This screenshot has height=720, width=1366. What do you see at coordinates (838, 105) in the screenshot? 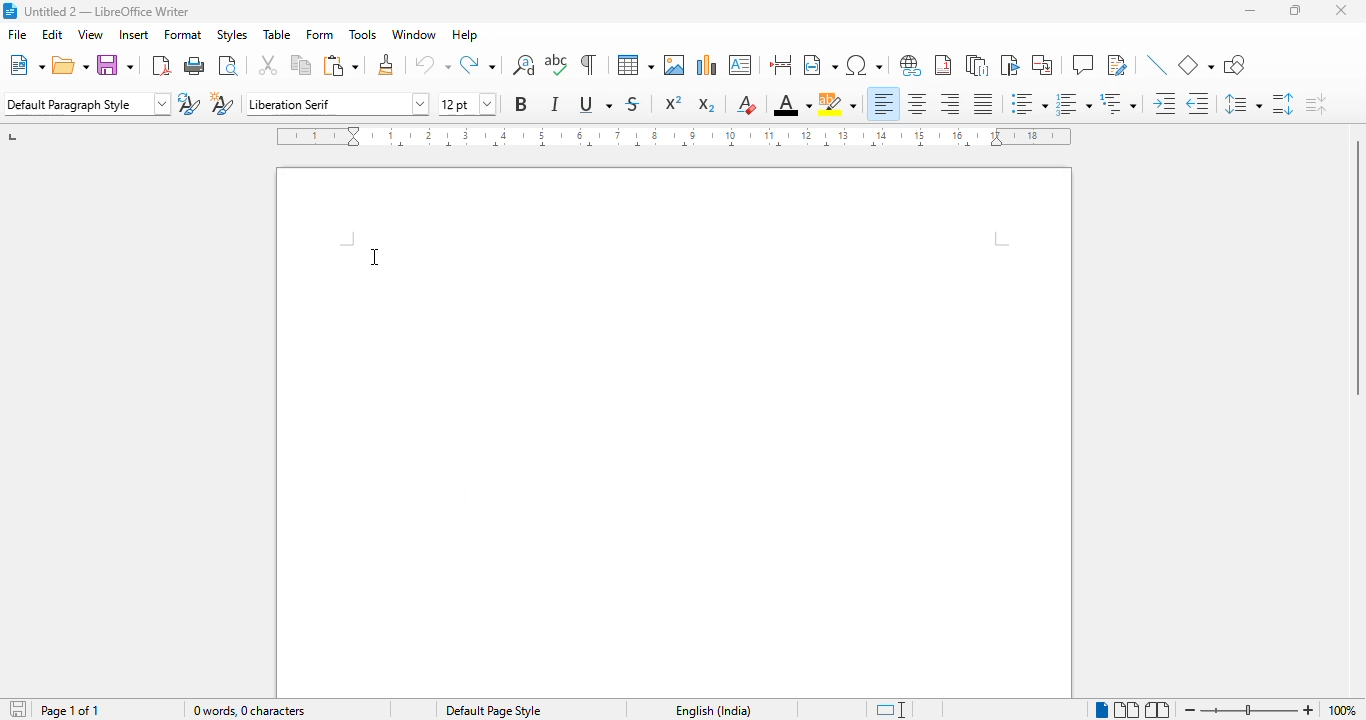
I see `character highlighting color` at bounding box center [838, 105].